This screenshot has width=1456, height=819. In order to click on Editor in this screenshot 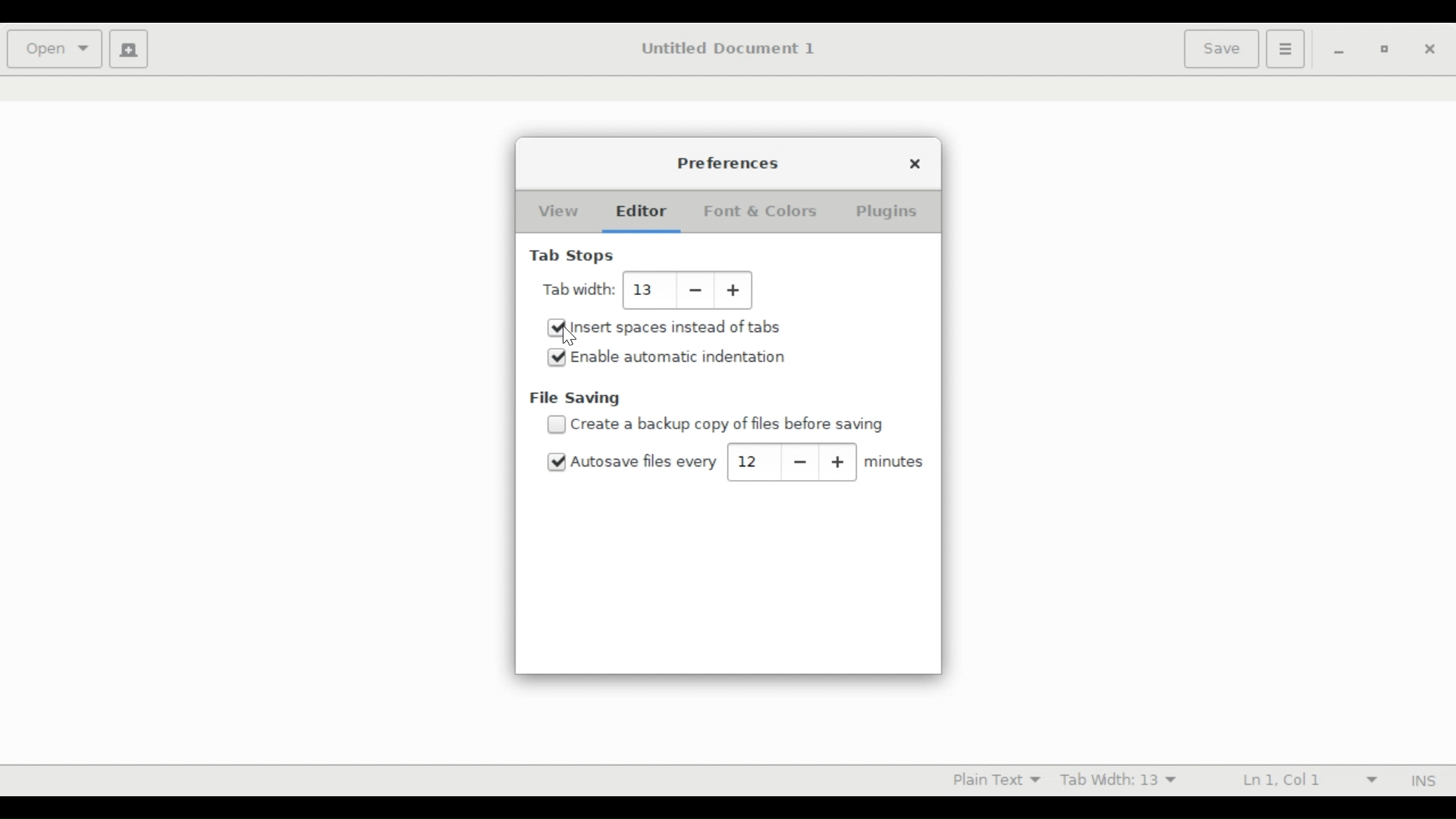, I will do `click(640, 211)`.